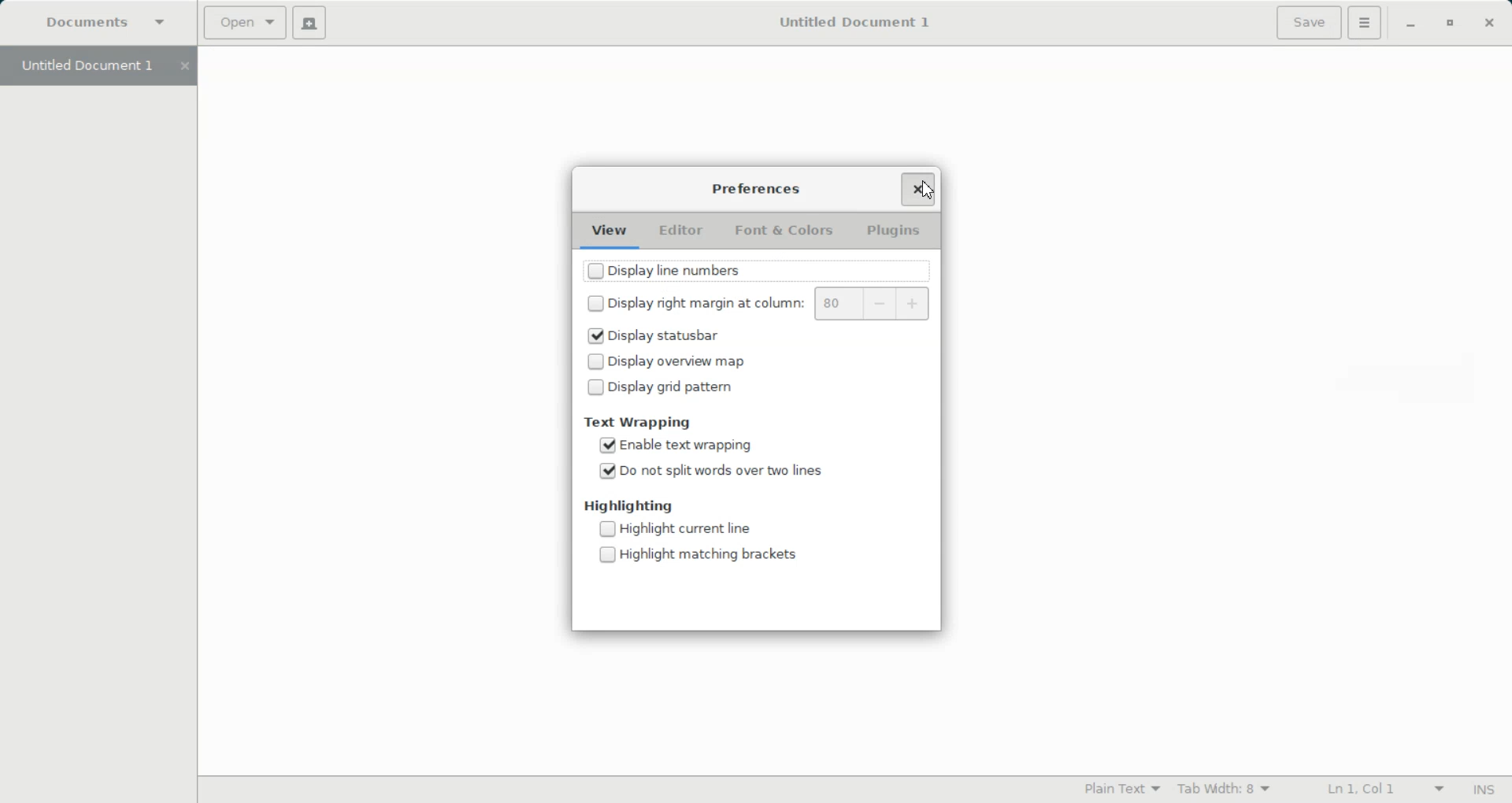  I want to click on Decrease, so click(880, 303).